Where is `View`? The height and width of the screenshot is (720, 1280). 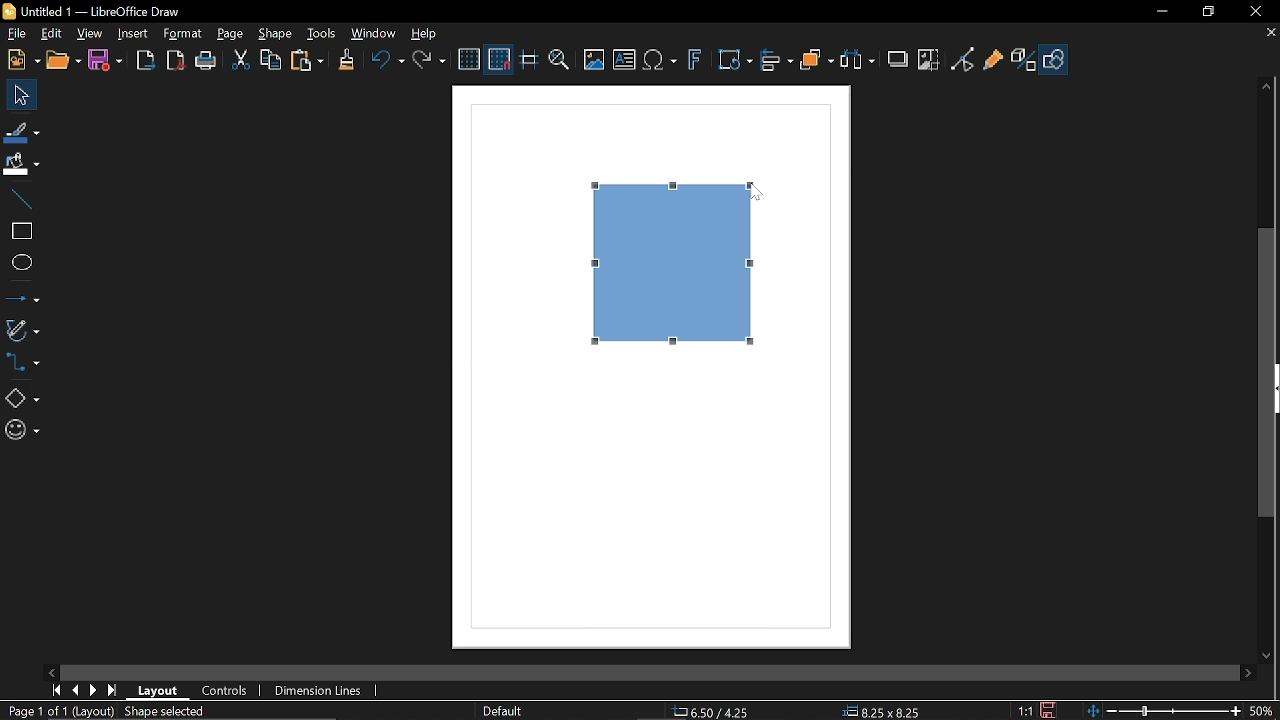
View is located at coordinates (91, 33).